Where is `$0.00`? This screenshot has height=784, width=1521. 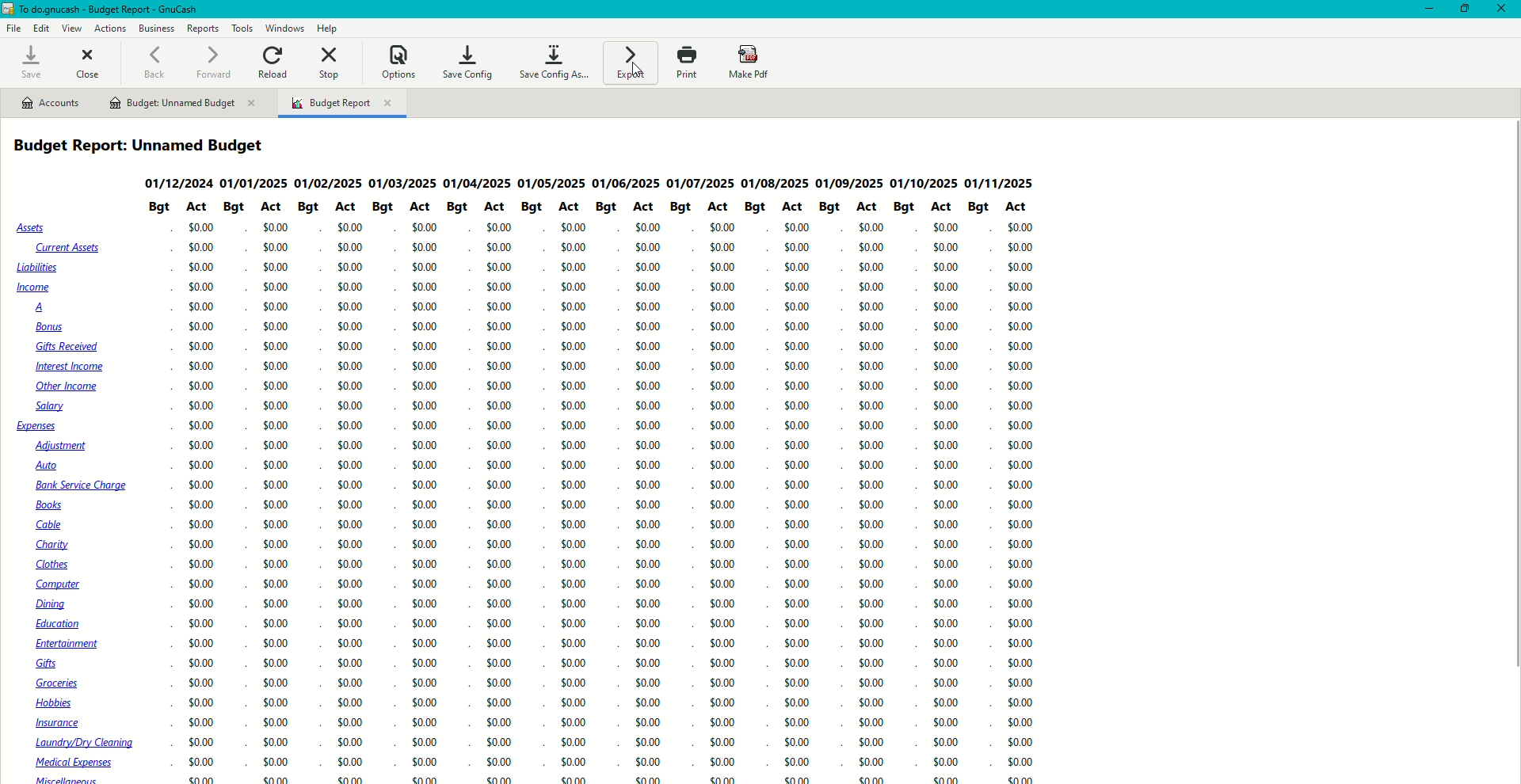
$0.00 is located at coordinates (353, 527).